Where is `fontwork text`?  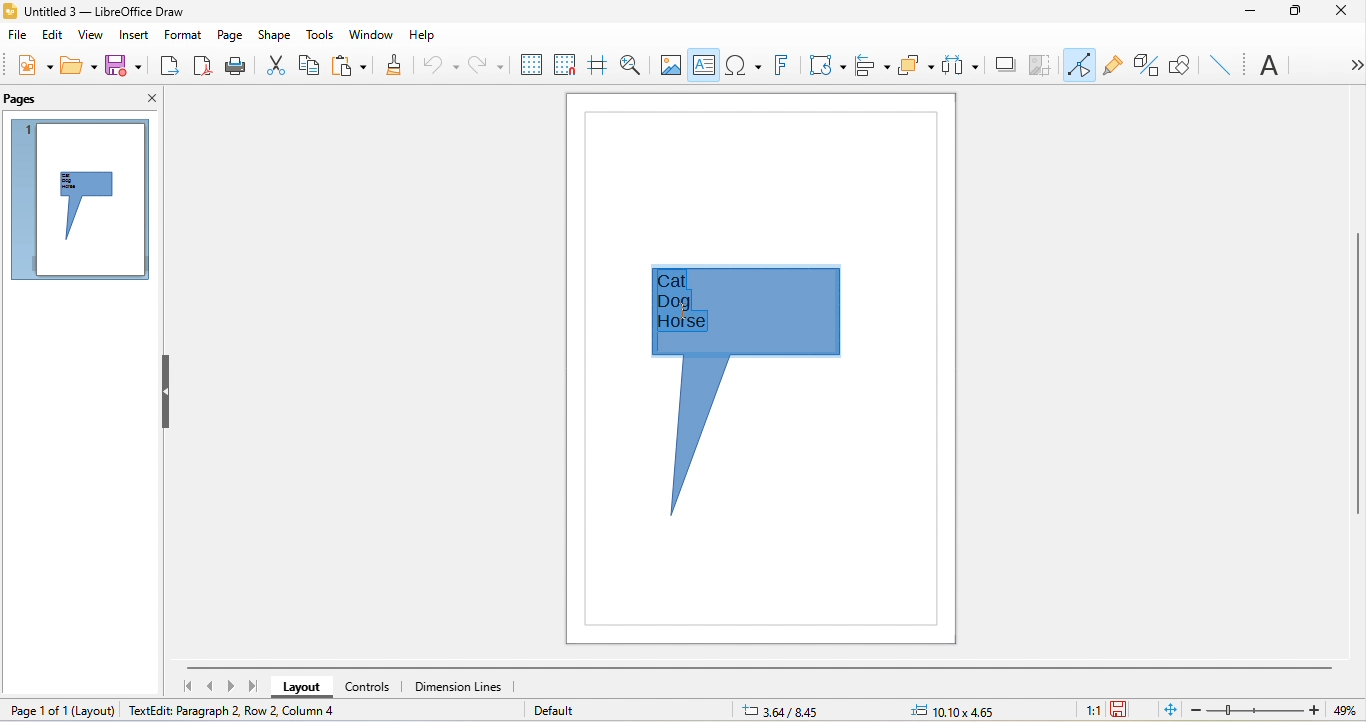
fontwork text is located at coordinates (779, 67).